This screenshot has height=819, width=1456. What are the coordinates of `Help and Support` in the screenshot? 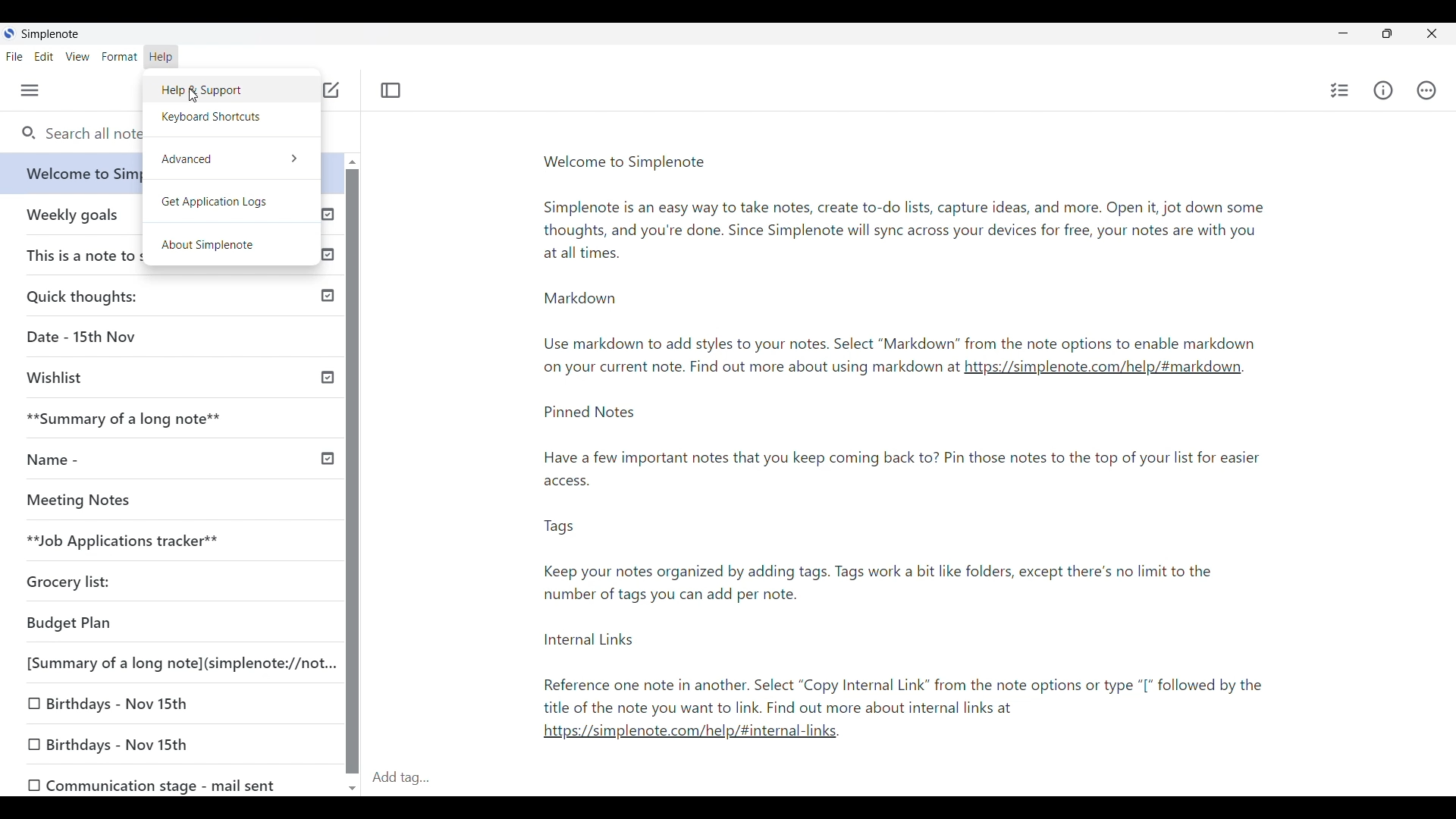 It's located at (231, 89).